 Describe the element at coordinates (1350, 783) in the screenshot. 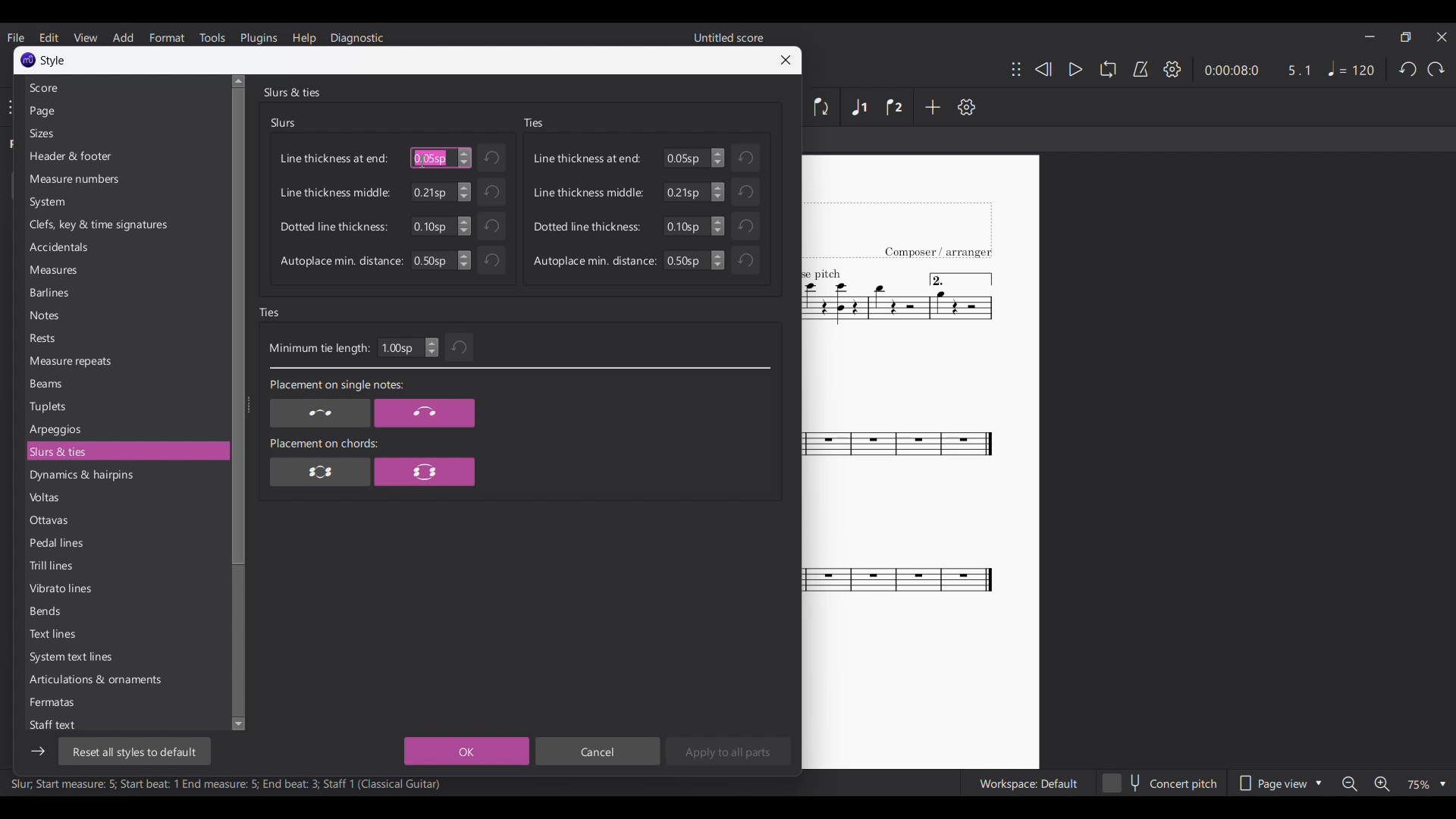

I see `Zoom out` at that location.